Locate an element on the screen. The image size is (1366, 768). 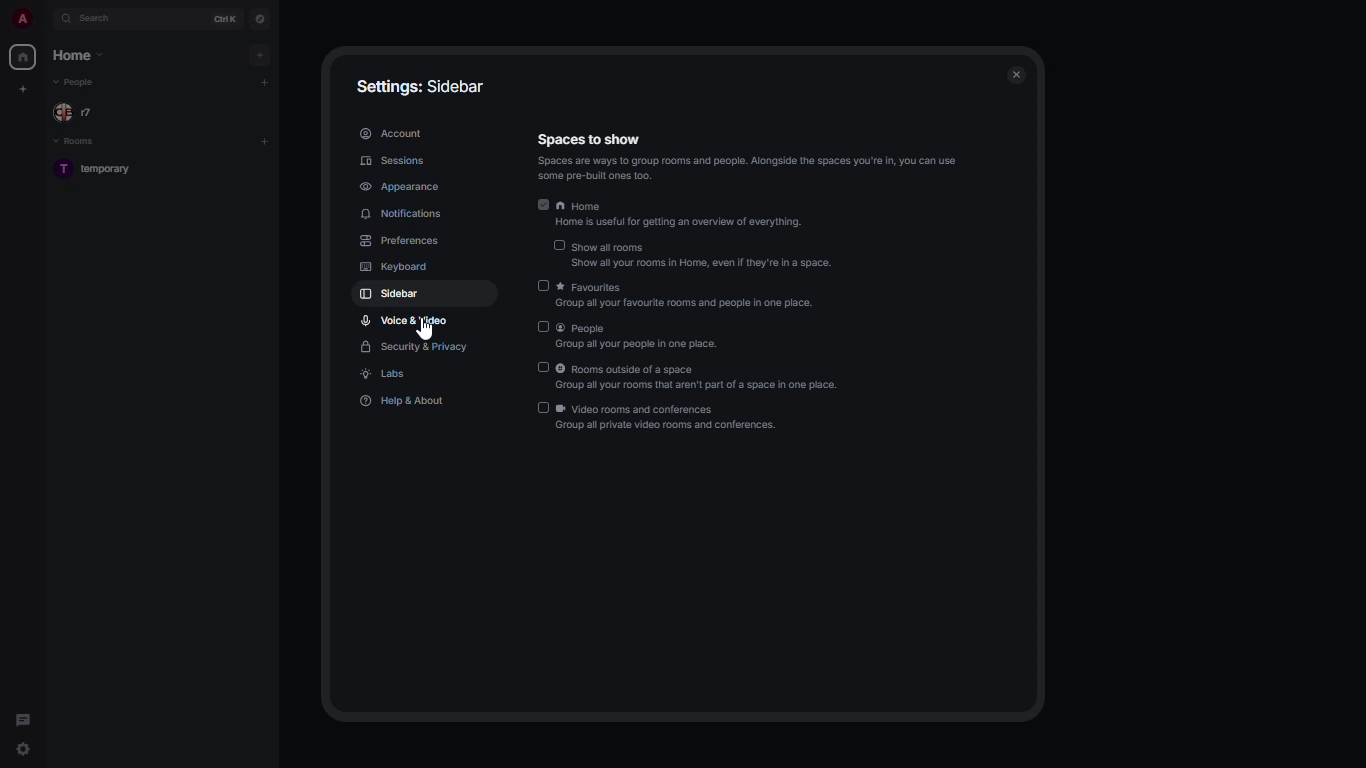
a is located at coordinates (22, 18).